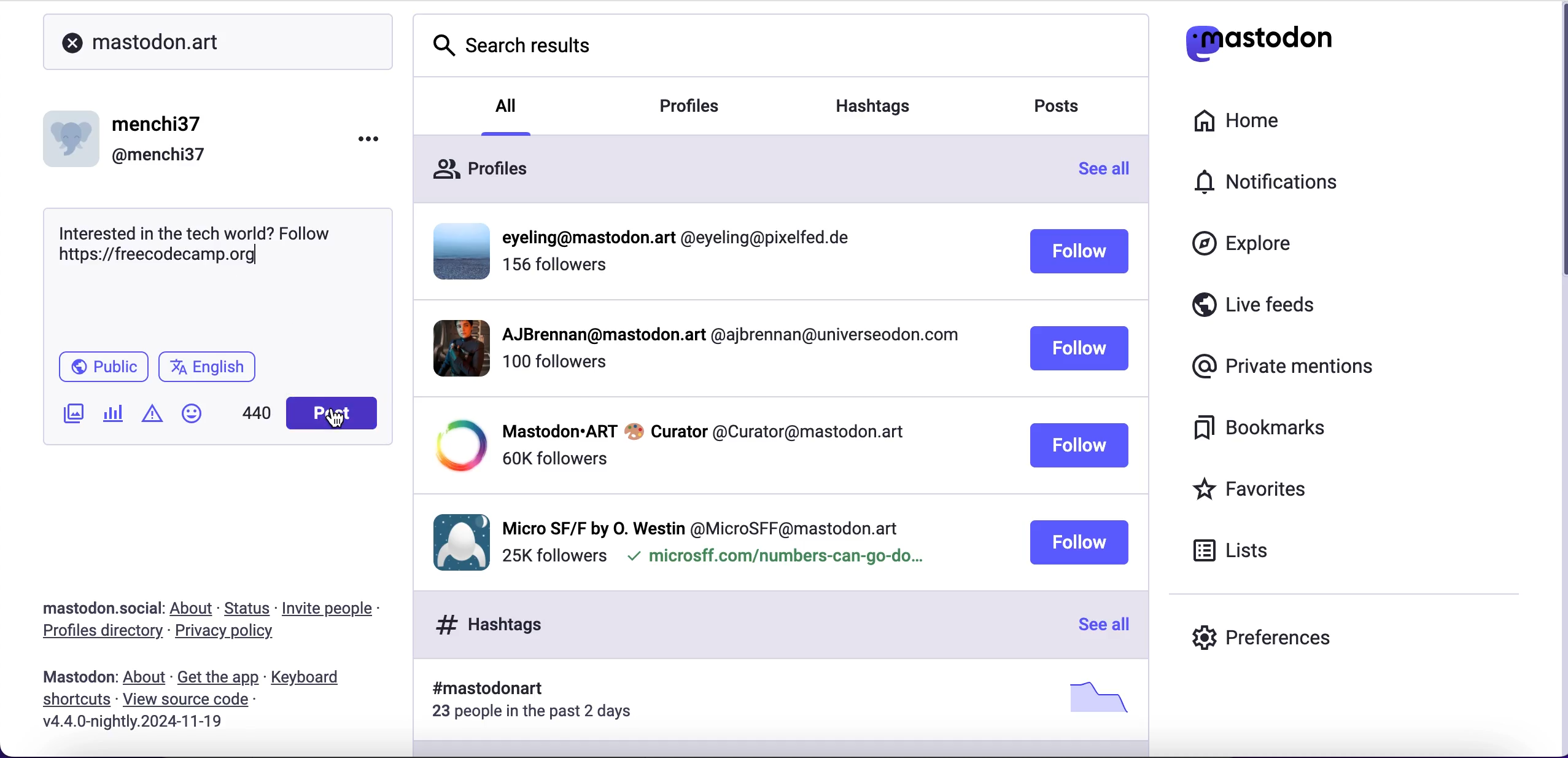  I want to click on about, so click(146, 677).